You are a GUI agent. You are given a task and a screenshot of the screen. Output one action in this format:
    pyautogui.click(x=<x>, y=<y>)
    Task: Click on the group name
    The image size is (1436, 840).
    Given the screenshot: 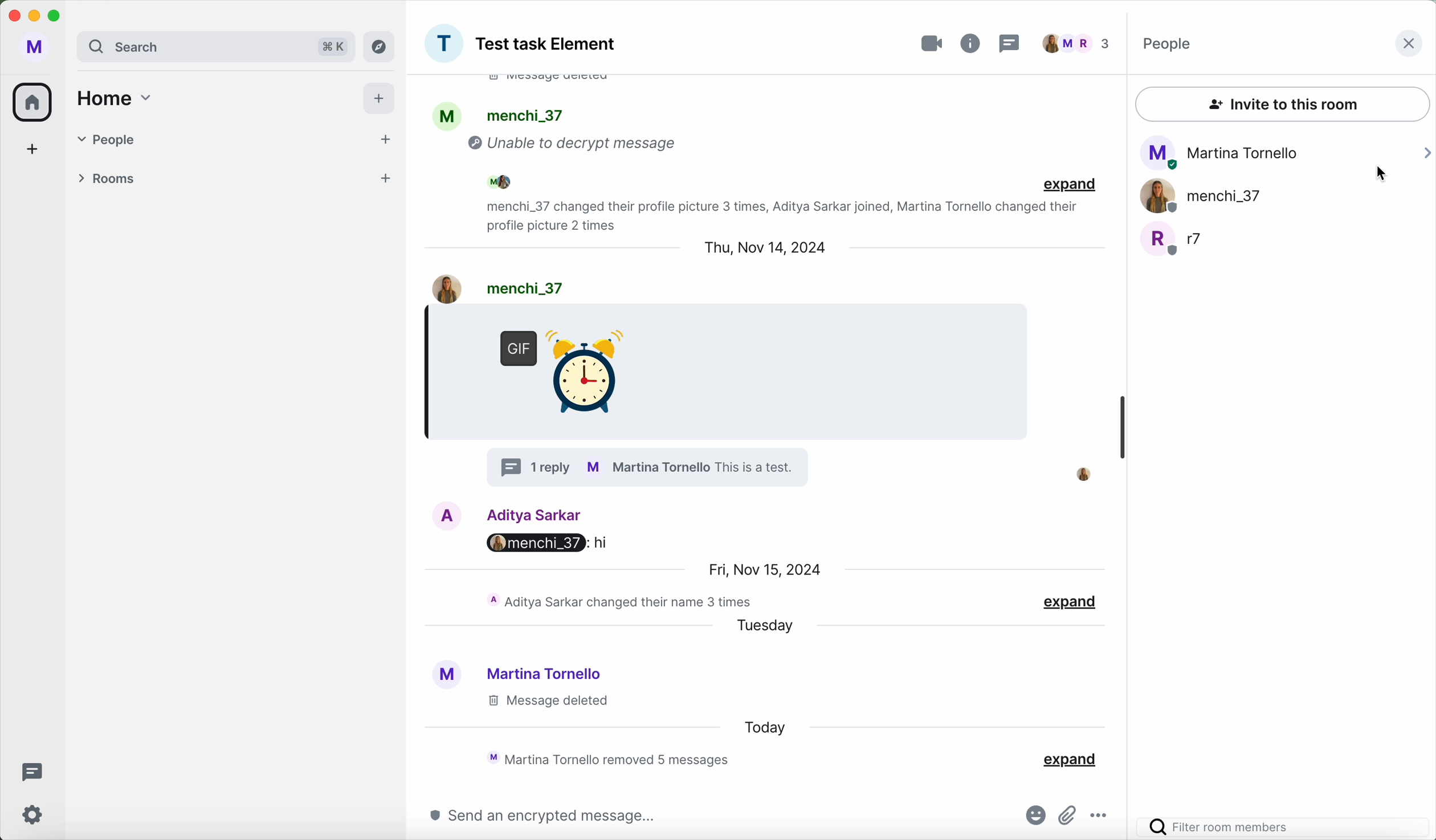 What is the action you would take?
    pyautogui.click(x=548, y=46)
    